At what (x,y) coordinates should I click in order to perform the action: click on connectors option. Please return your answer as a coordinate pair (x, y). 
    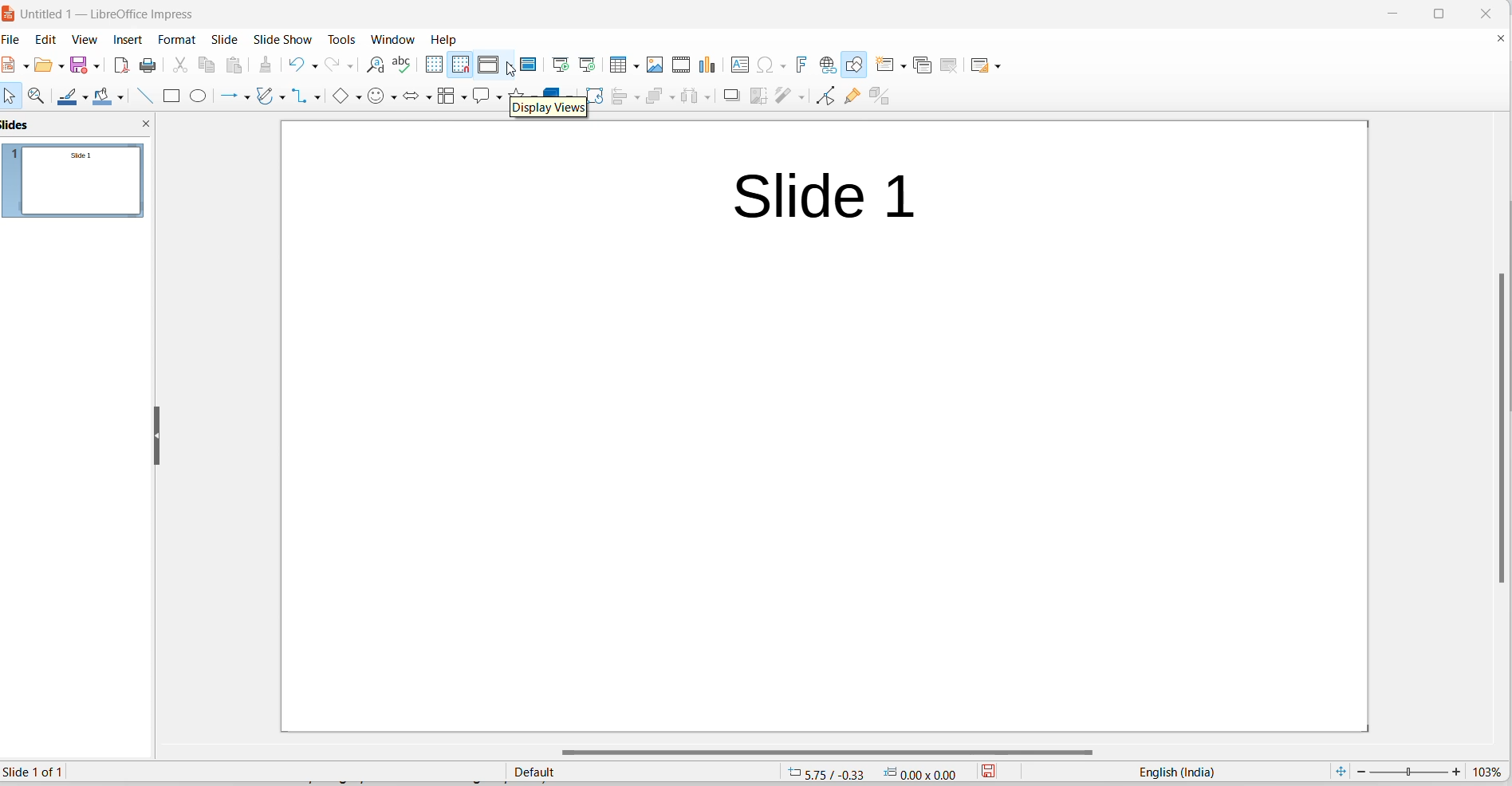
    Looking at the image, I should click on (319, 97).